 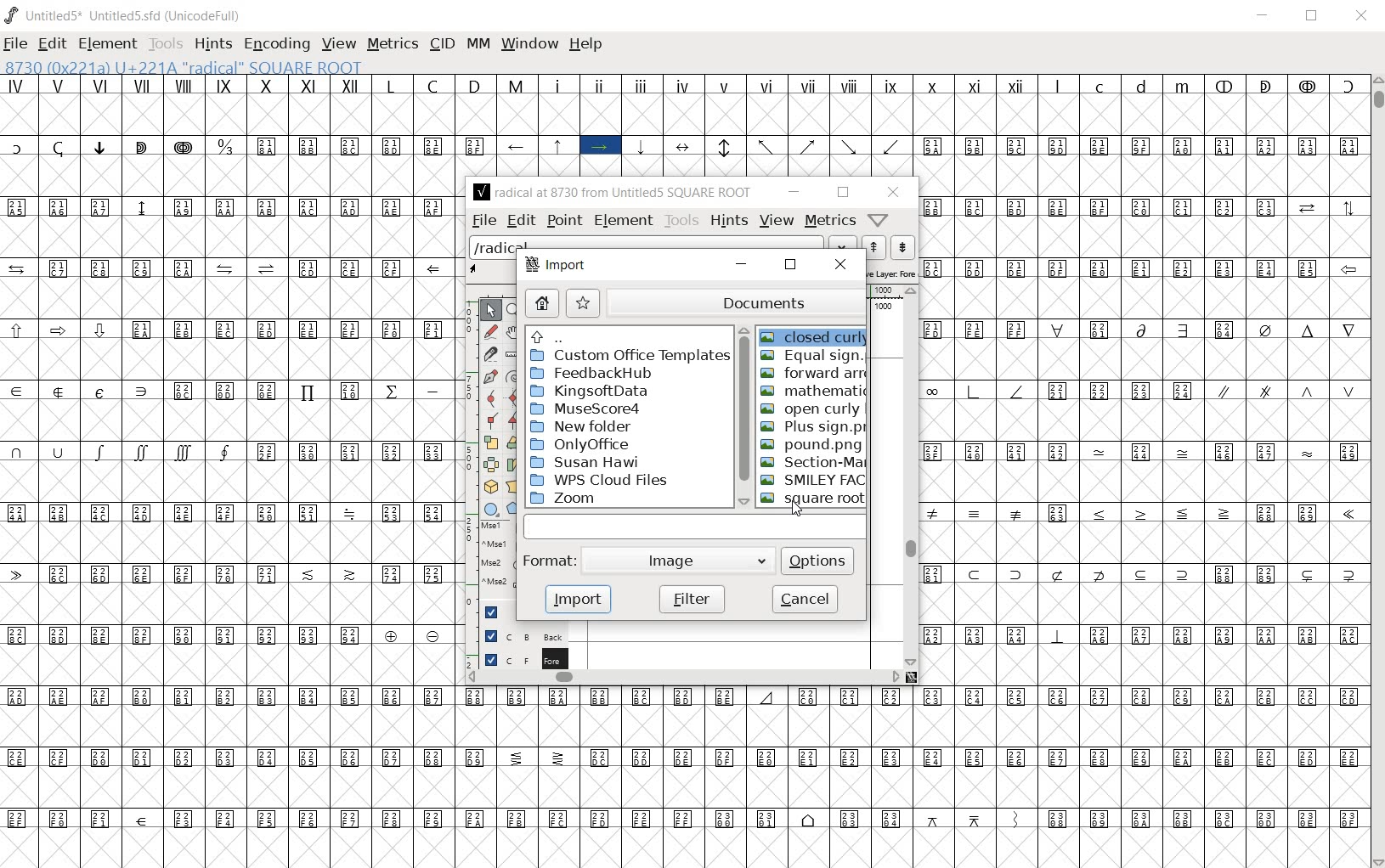 What do you see at coordinates (577, 598) in the screenshot?
I see `import` at bounding box center [577, 598].